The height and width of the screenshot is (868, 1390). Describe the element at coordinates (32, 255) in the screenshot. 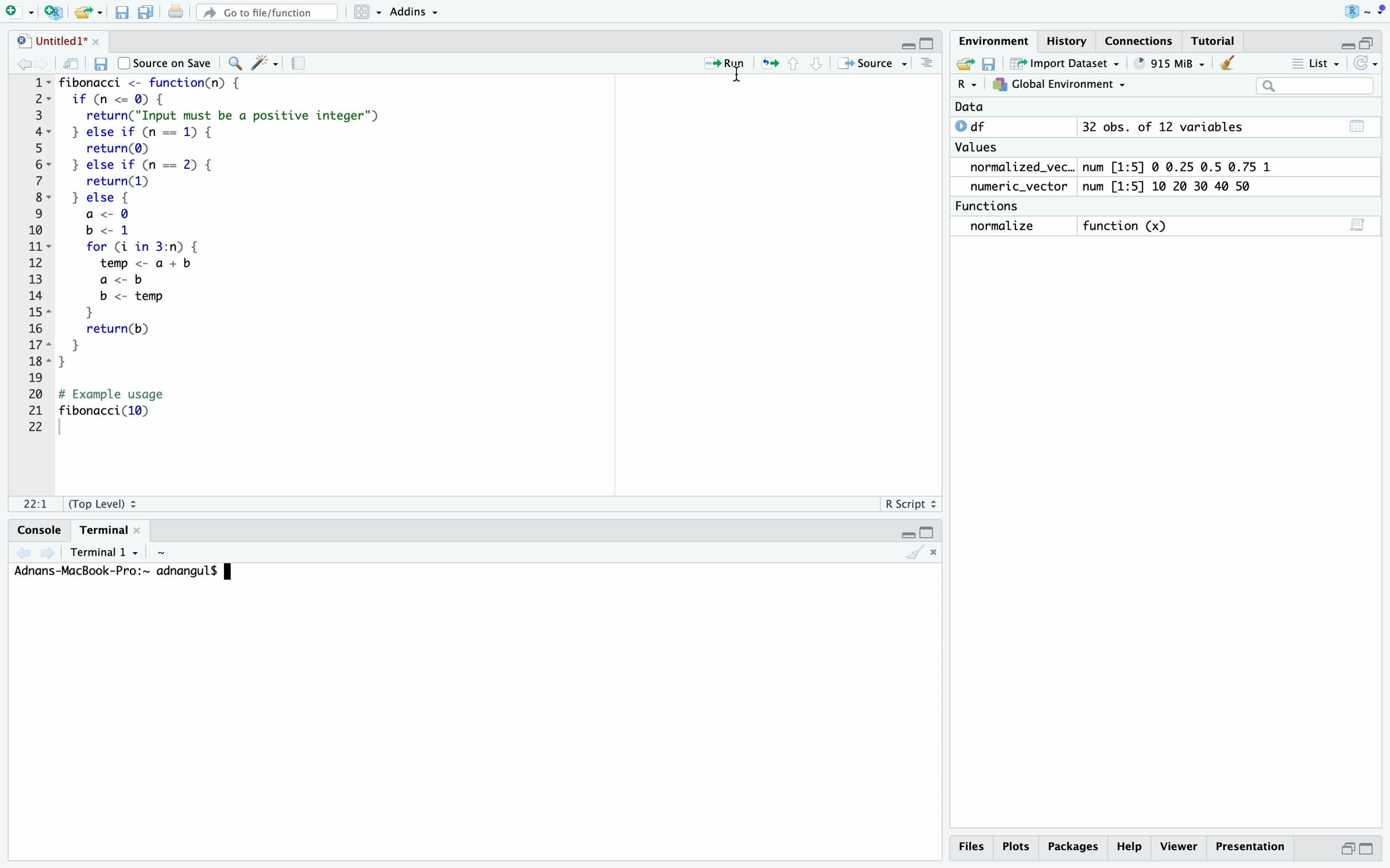

I see `serial numbers` at that location.